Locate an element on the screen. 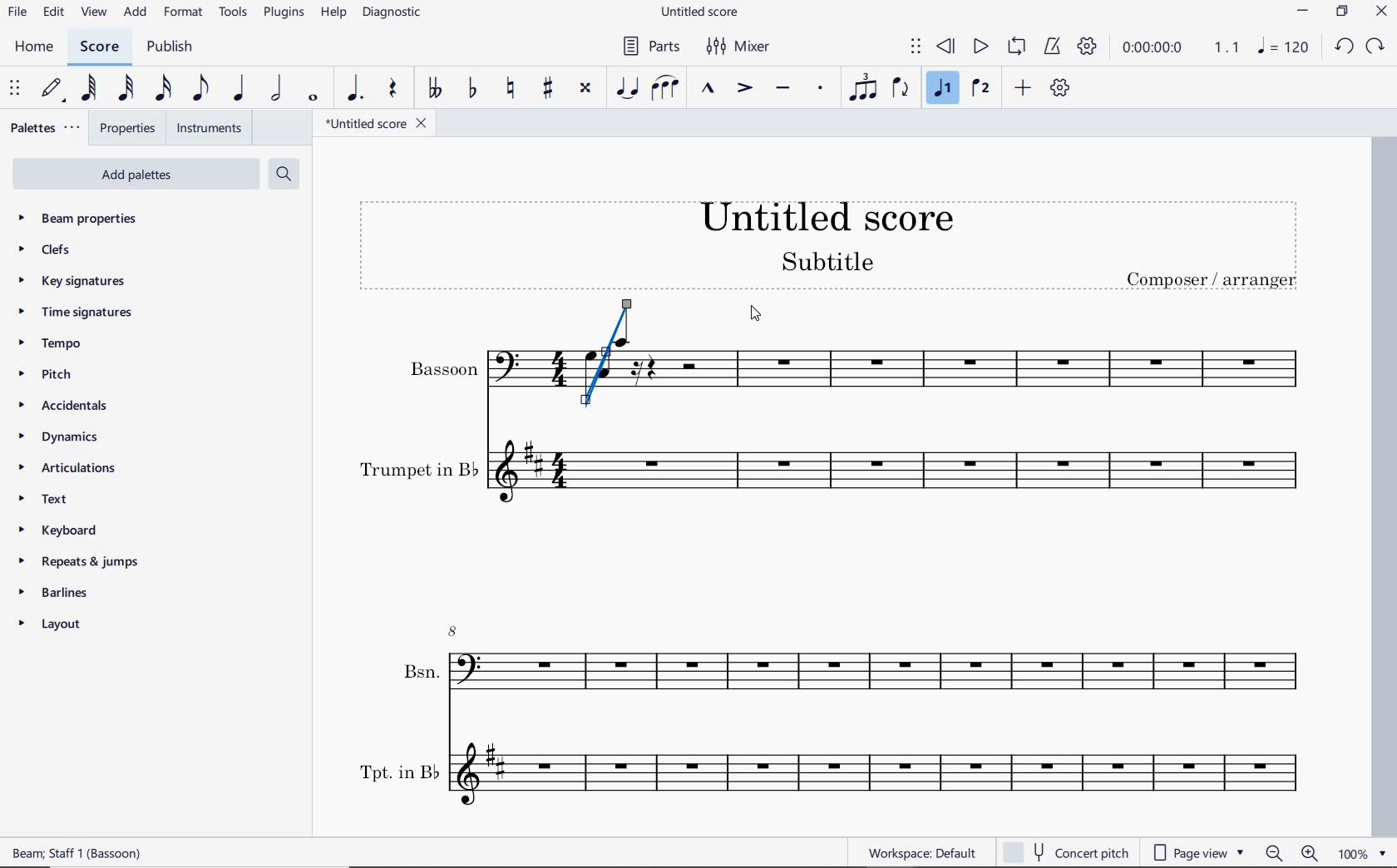 Image resolution: width=1397 pixels, height=868 pixels. UNDO is located at coordinates (1345, 47).